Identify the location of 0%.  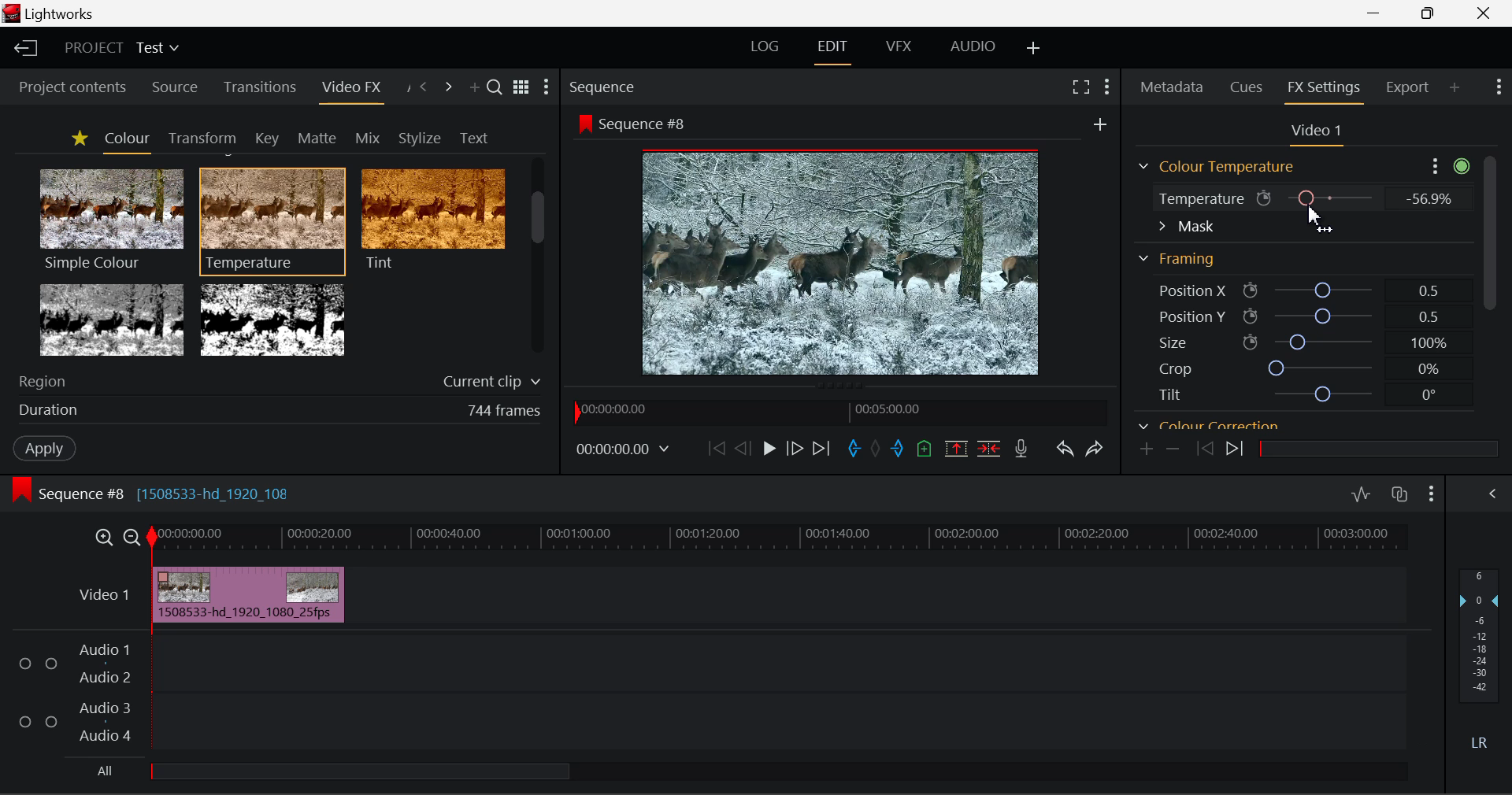
(1427, 198).